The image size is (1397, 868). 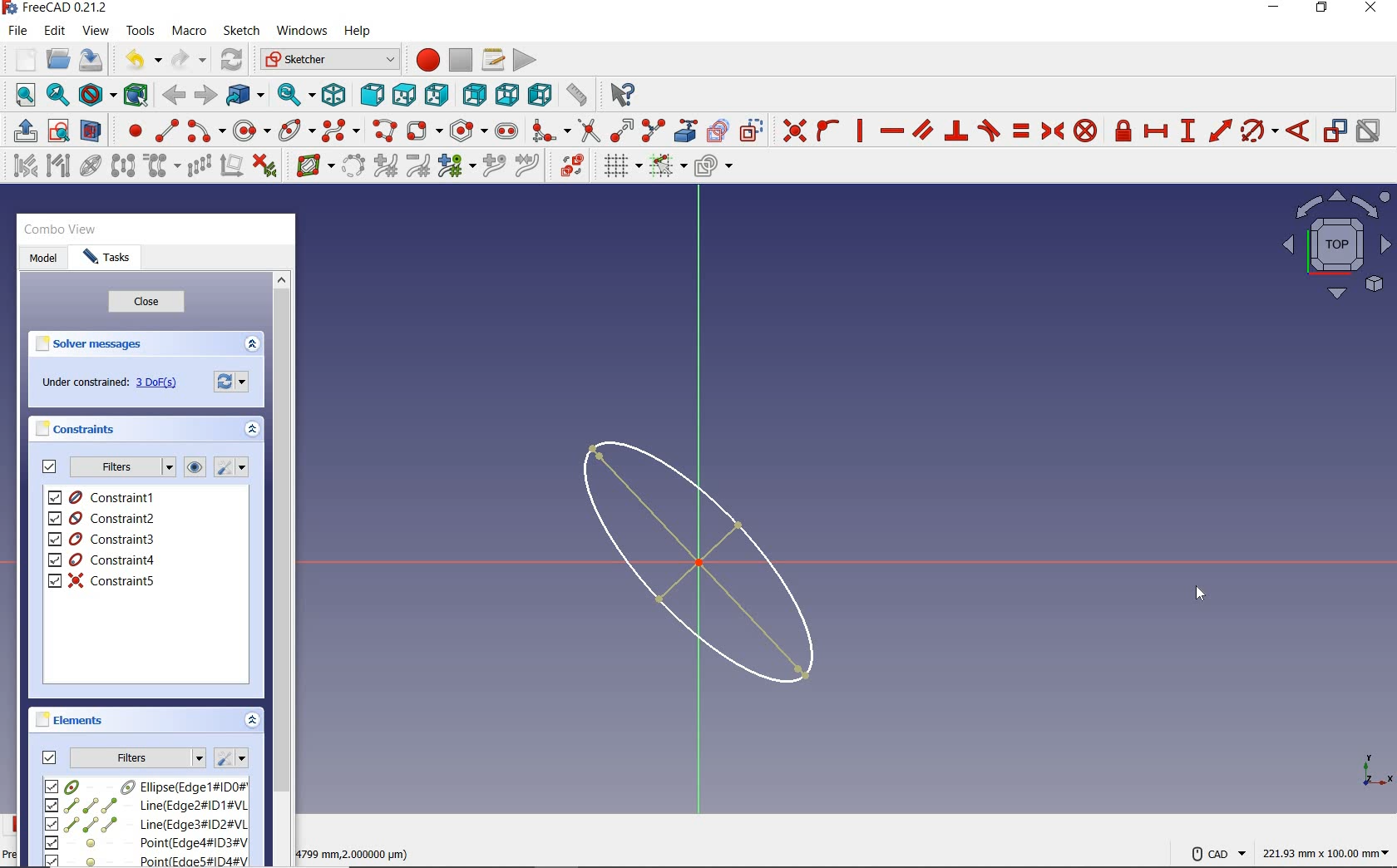 I want to click on create line, so click(x=166, y=131).